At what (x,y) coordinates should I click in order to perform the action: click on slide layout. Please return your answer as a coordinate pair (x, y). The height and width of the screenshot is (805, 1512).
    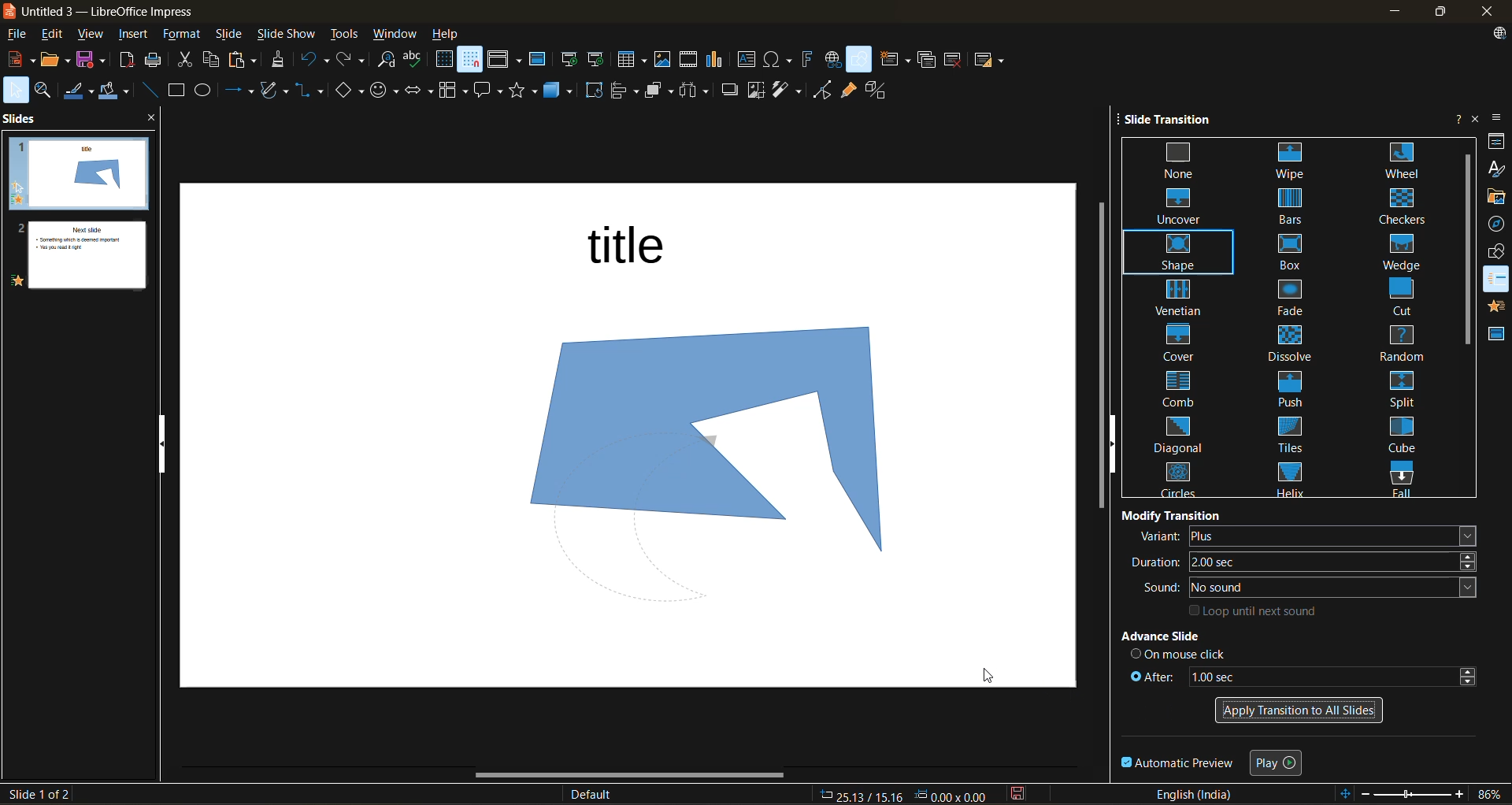
    Looking at the image, I should click on (993, 63).